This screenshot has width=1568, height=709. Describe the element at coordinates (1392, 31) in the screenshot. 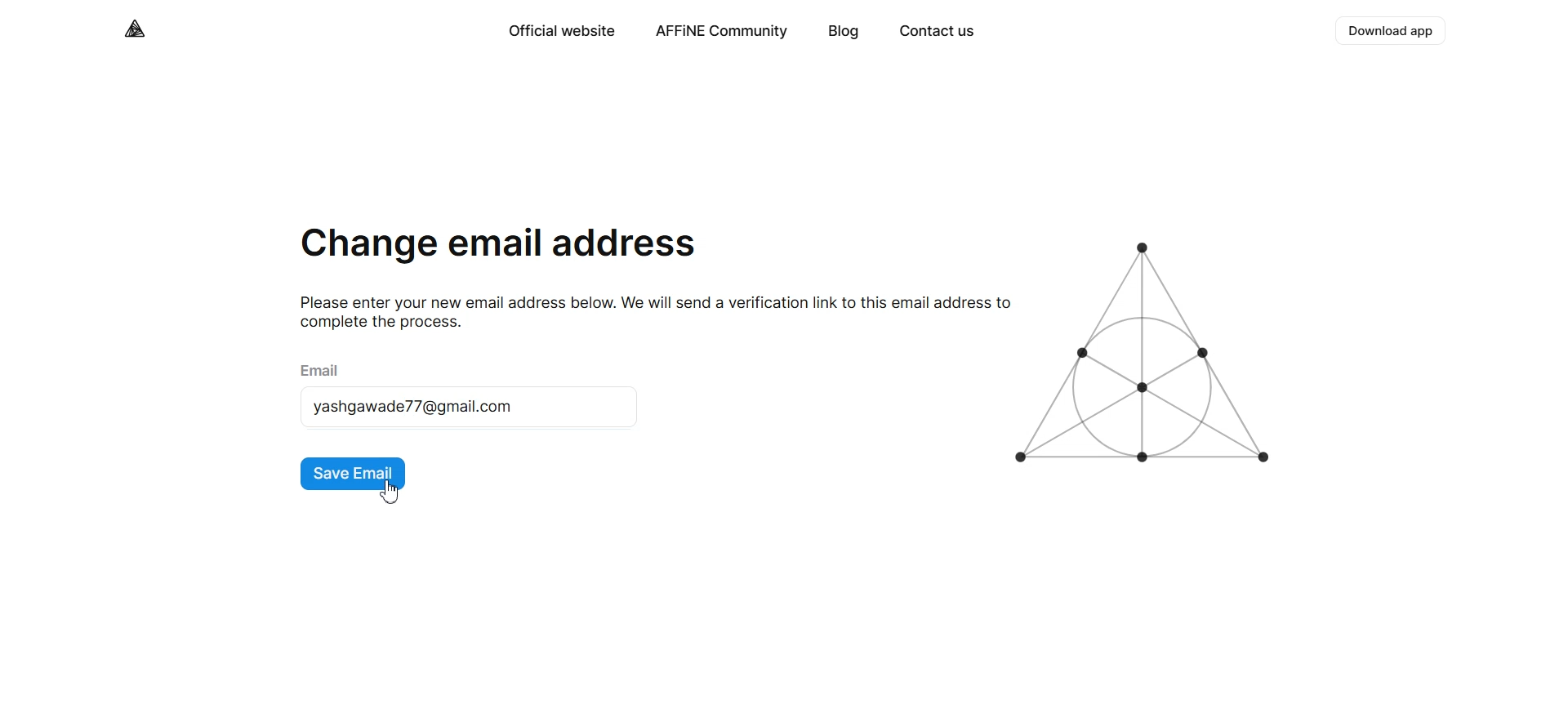

I see `Download app` at that location.